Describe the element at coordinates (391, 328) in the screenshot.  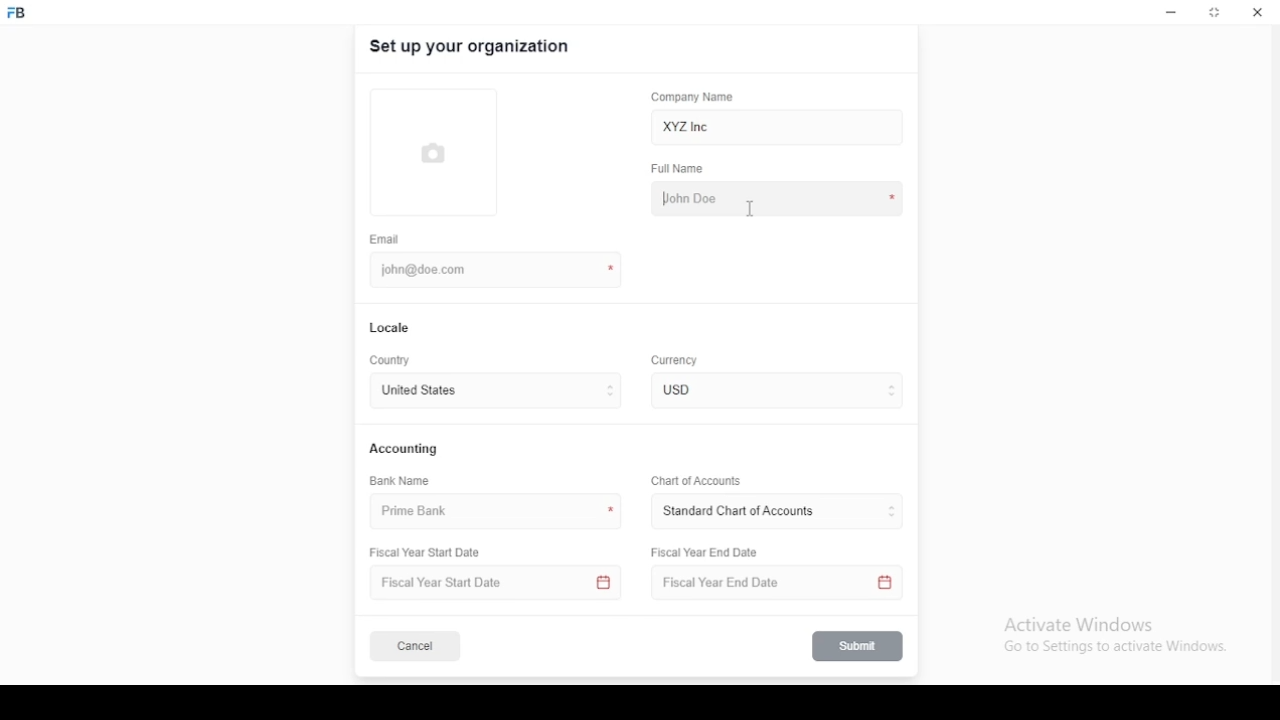
I see `locale` at that location.